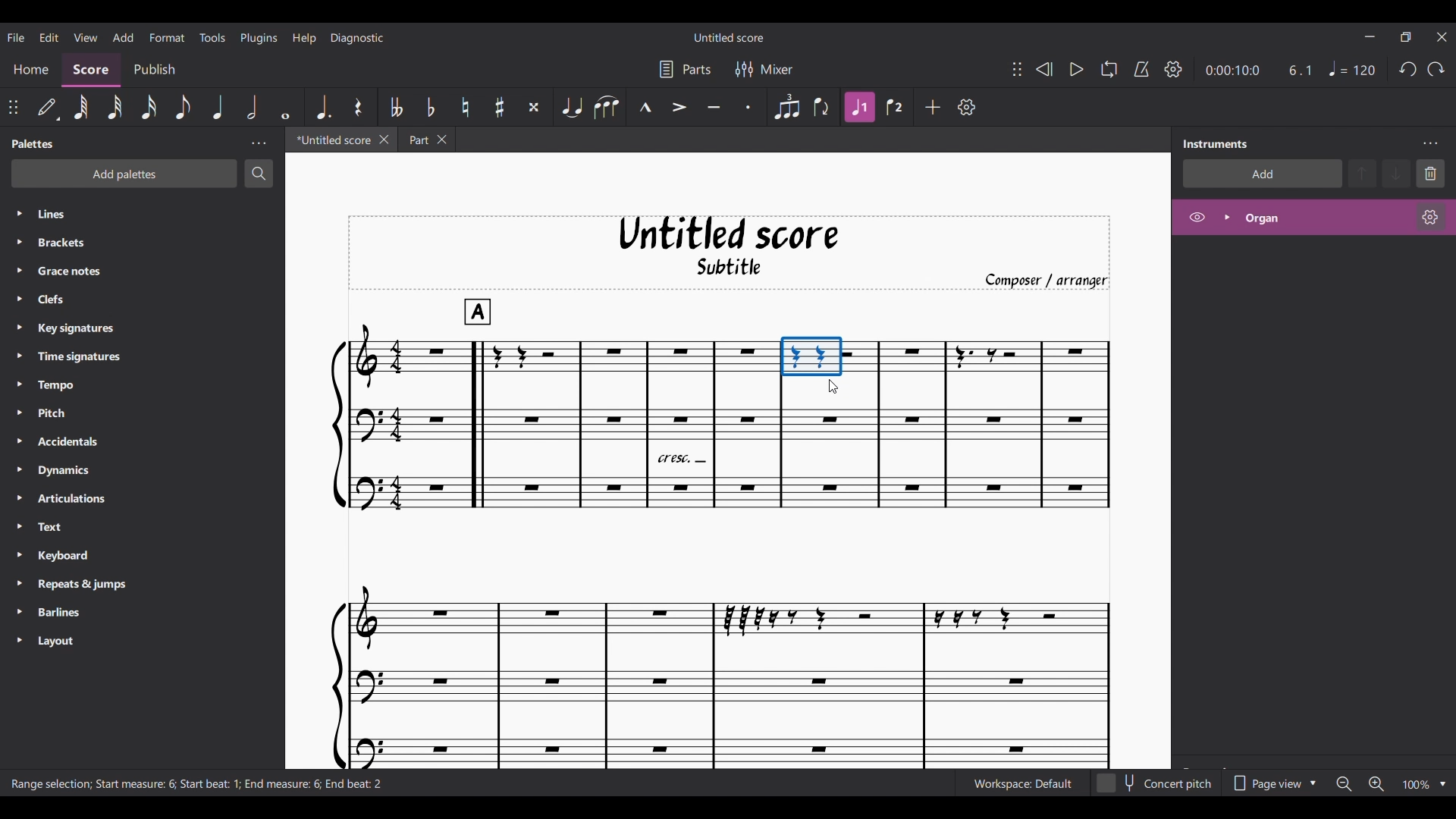  What do you see at coordinates (1430, 217) in the screenshot?
I see `Organ instrument settings` at bounding box center [1430, 217].